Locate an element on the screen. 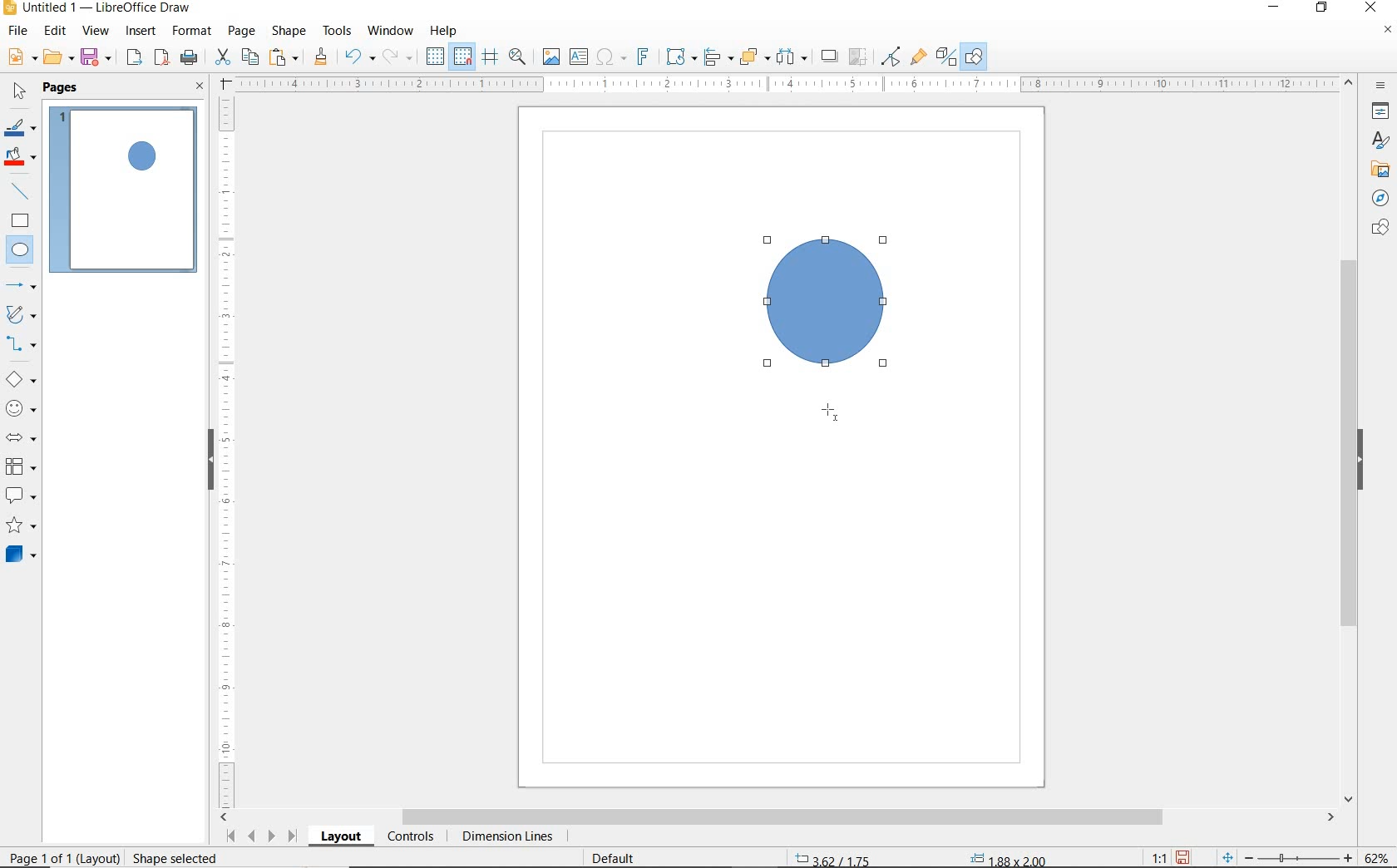  INSERT IMAGE is located at coordinates (551, 57).